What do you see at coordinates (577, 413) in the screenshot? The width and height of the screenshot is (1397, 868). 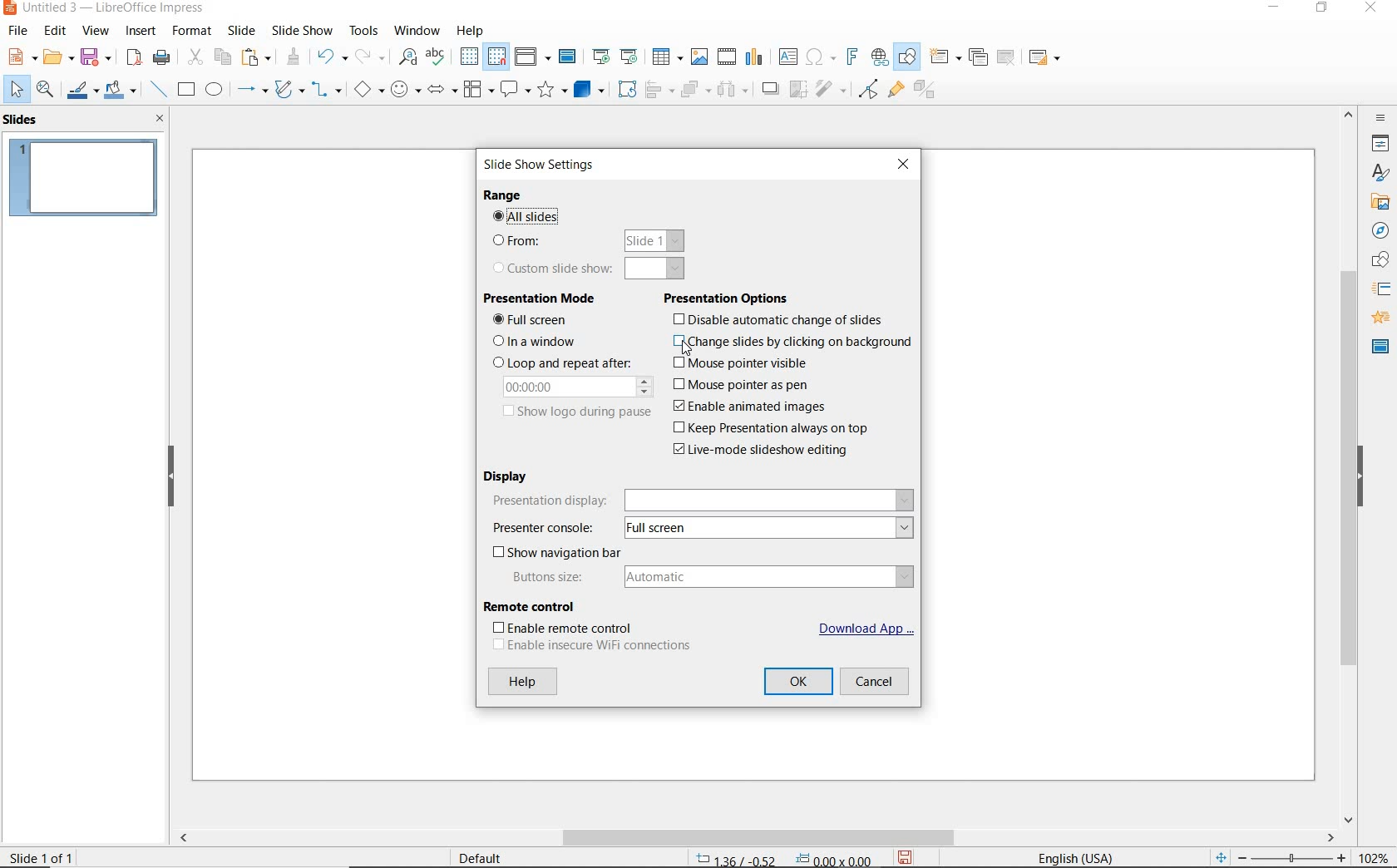 I see `SHOW LOGO DURING PAUSE` at bounding box center [577, 413].